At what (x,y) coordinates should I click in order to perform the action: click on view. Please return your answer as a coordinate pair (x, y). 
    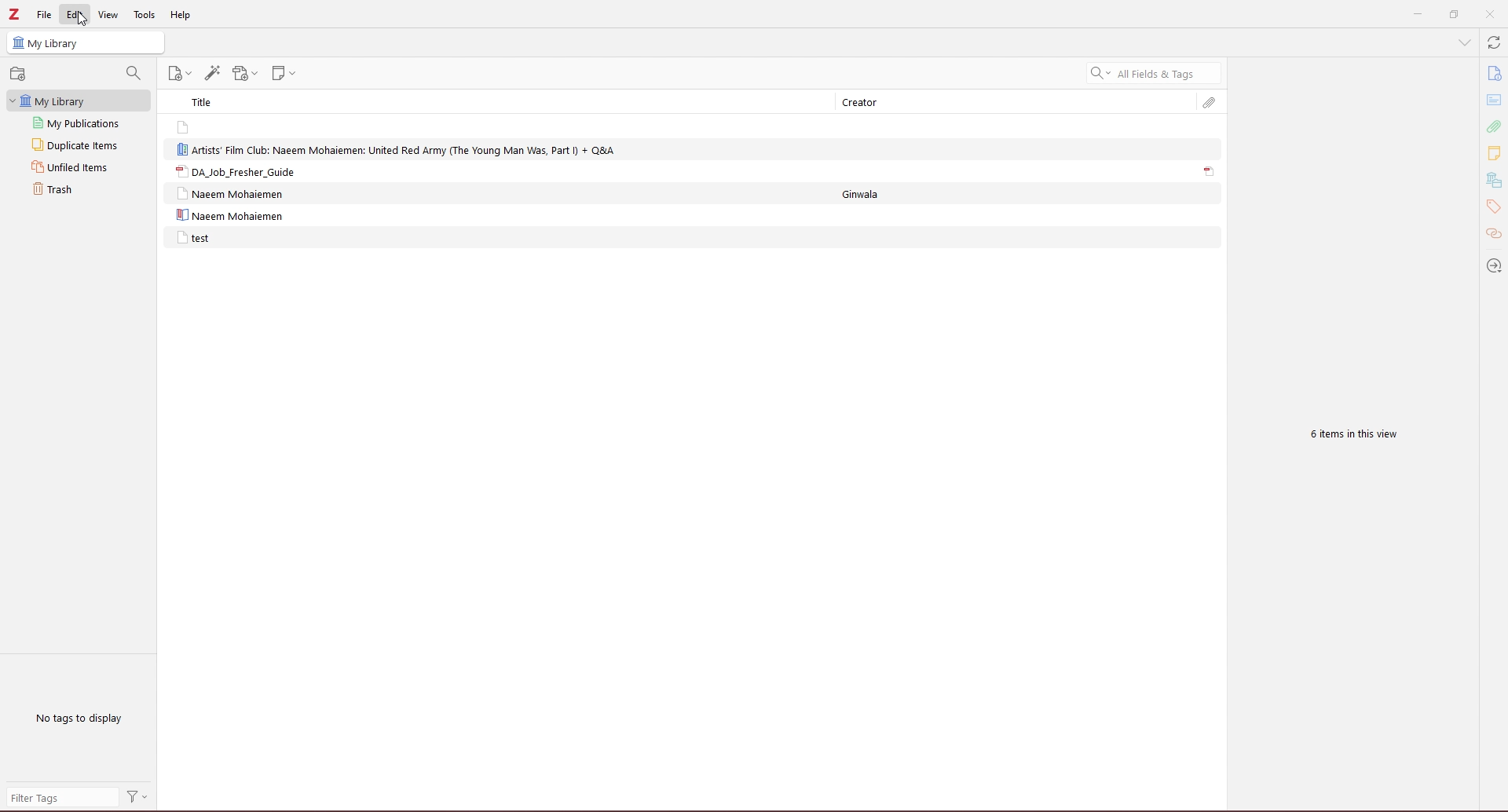
    Looking at the image, I should click on (108, 14).